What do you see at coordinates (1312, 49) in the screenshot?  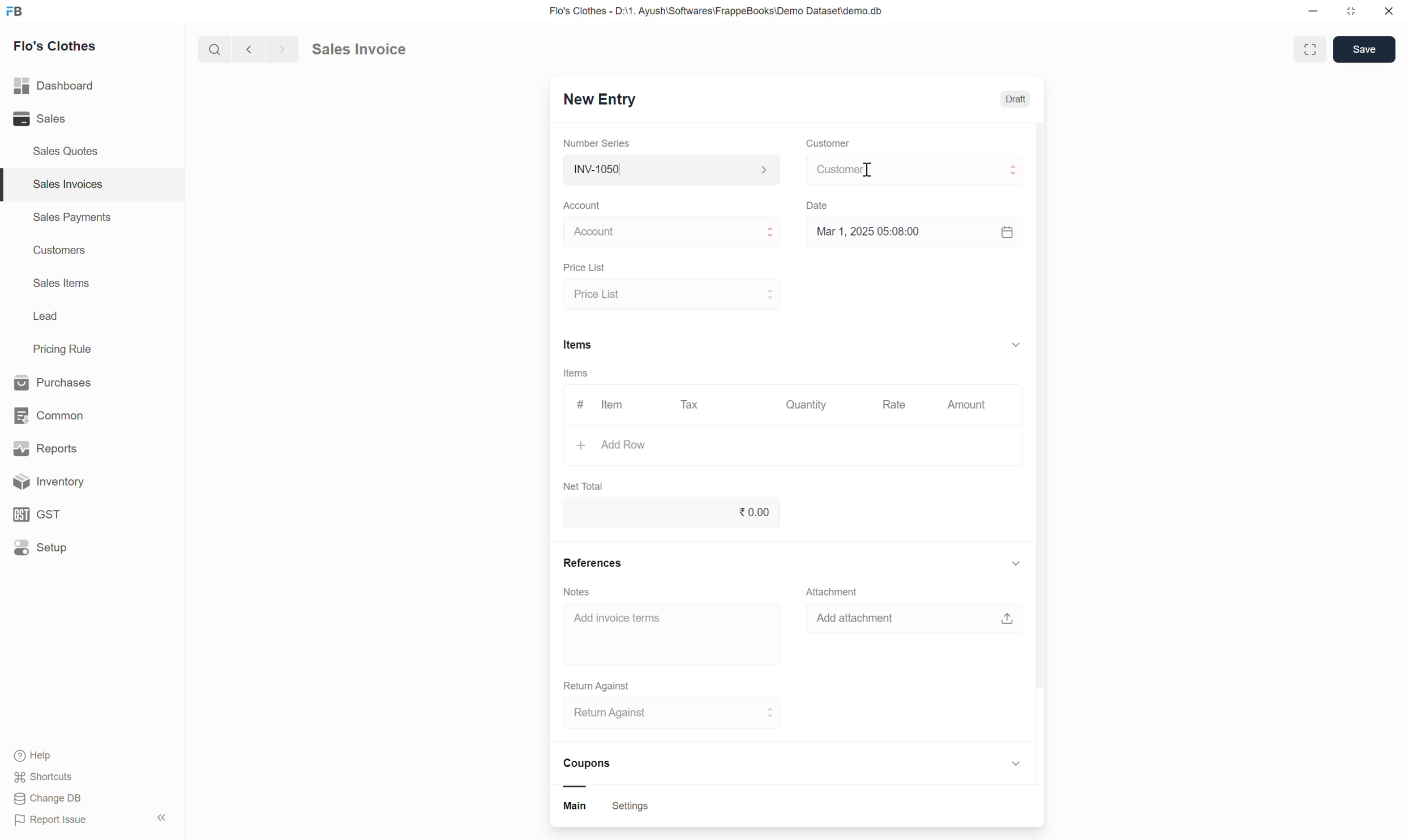 I see `full screen` at bounding box center [1312, 49].